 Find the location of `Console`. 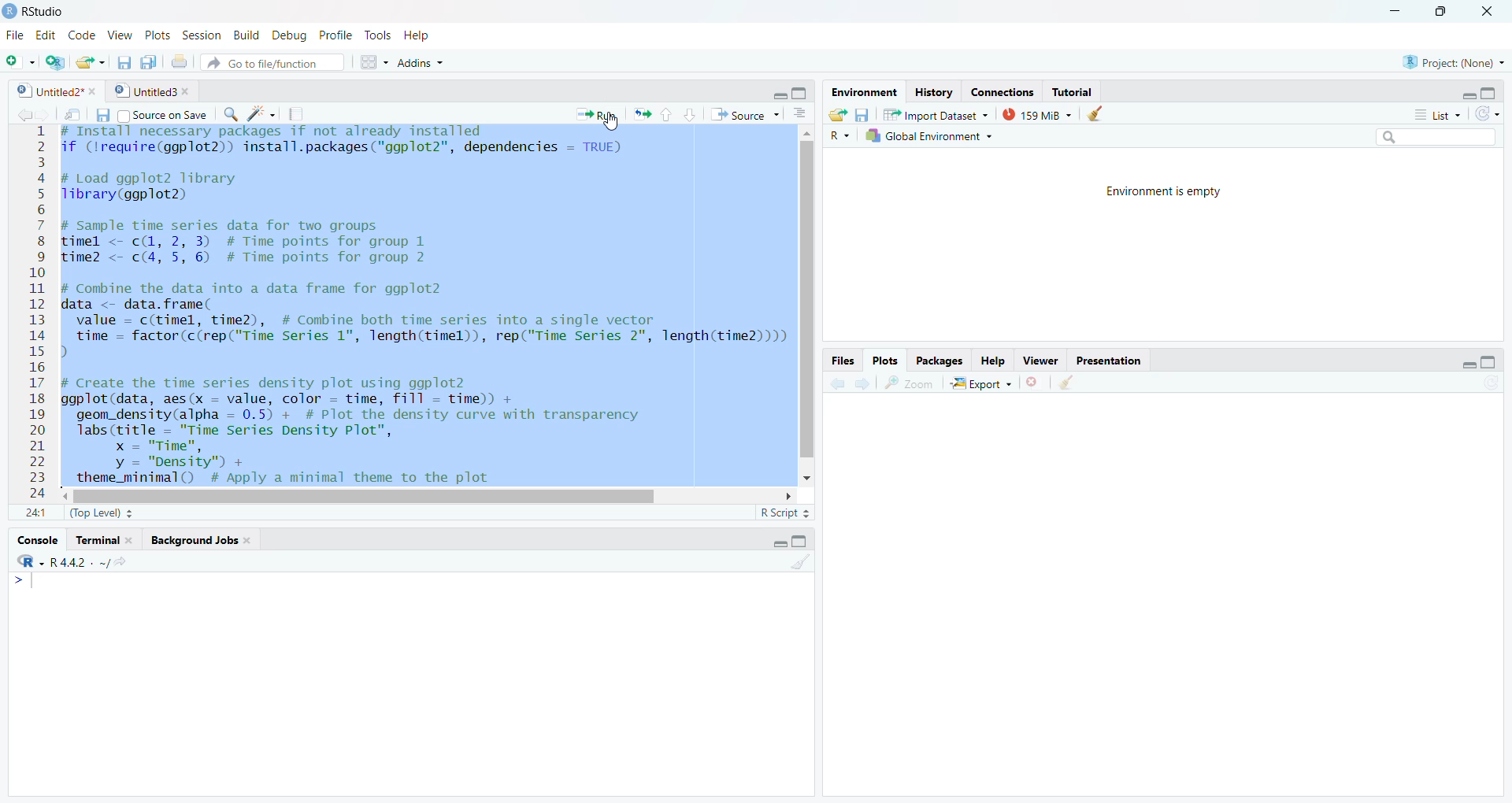

Console is located at coordinates (36, 542).